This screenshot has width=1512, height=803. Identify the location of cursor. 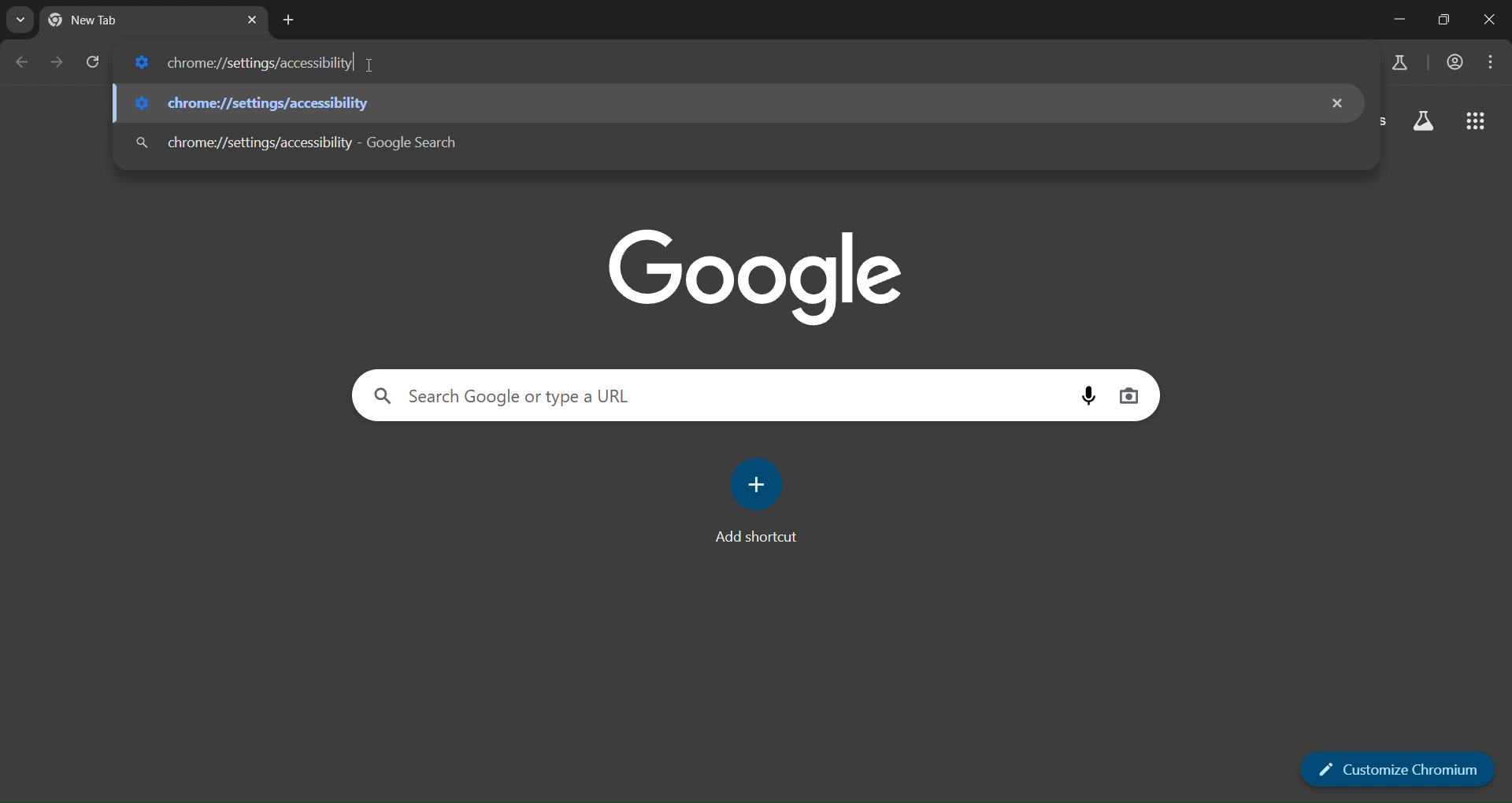
(372, 68).